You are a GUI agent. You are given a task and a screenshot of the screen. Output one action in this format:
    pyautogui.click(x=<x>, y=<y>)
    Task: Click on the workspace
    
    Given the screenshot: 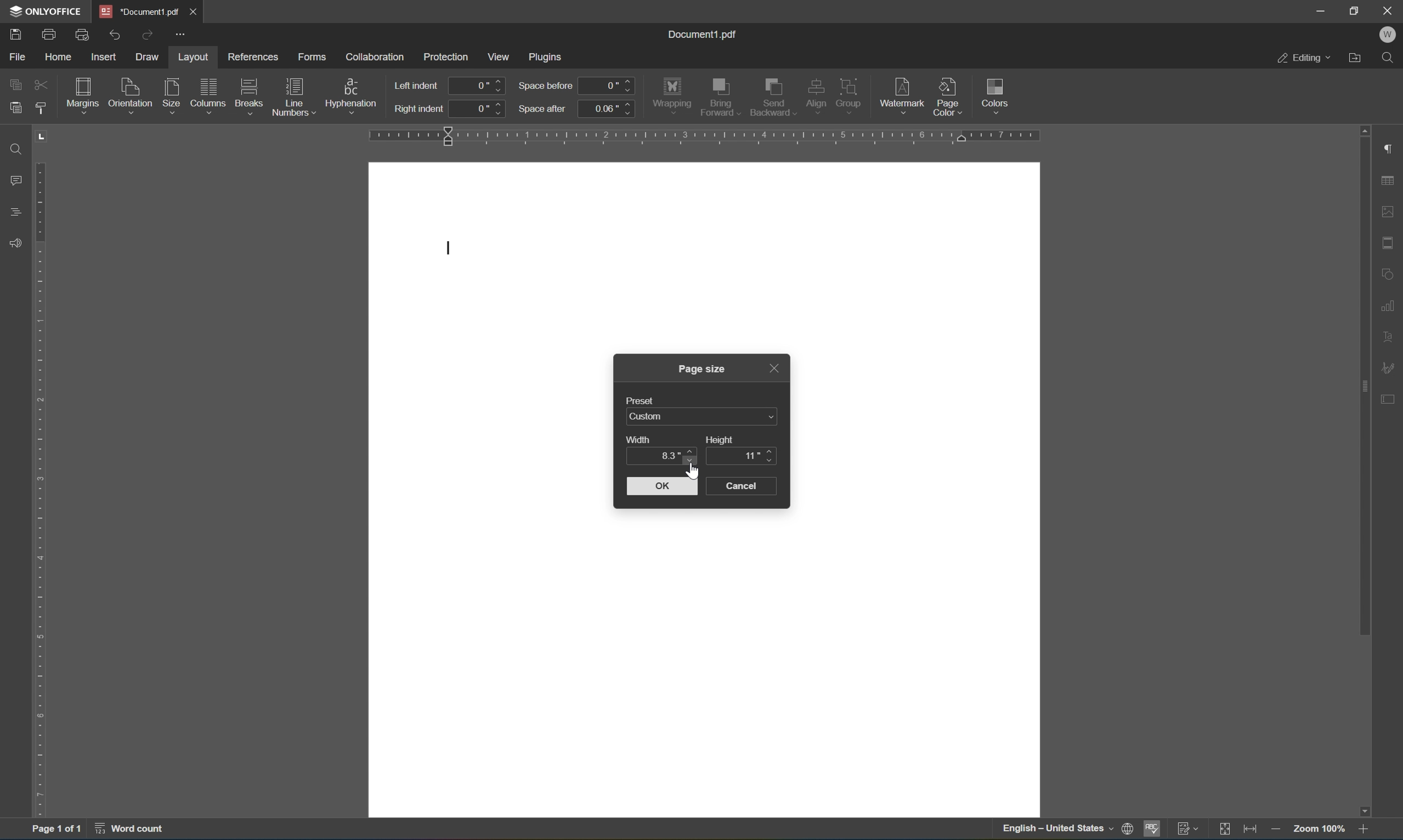 What is the action you would take?
    pyautogui.click(x=705, y=253)
    